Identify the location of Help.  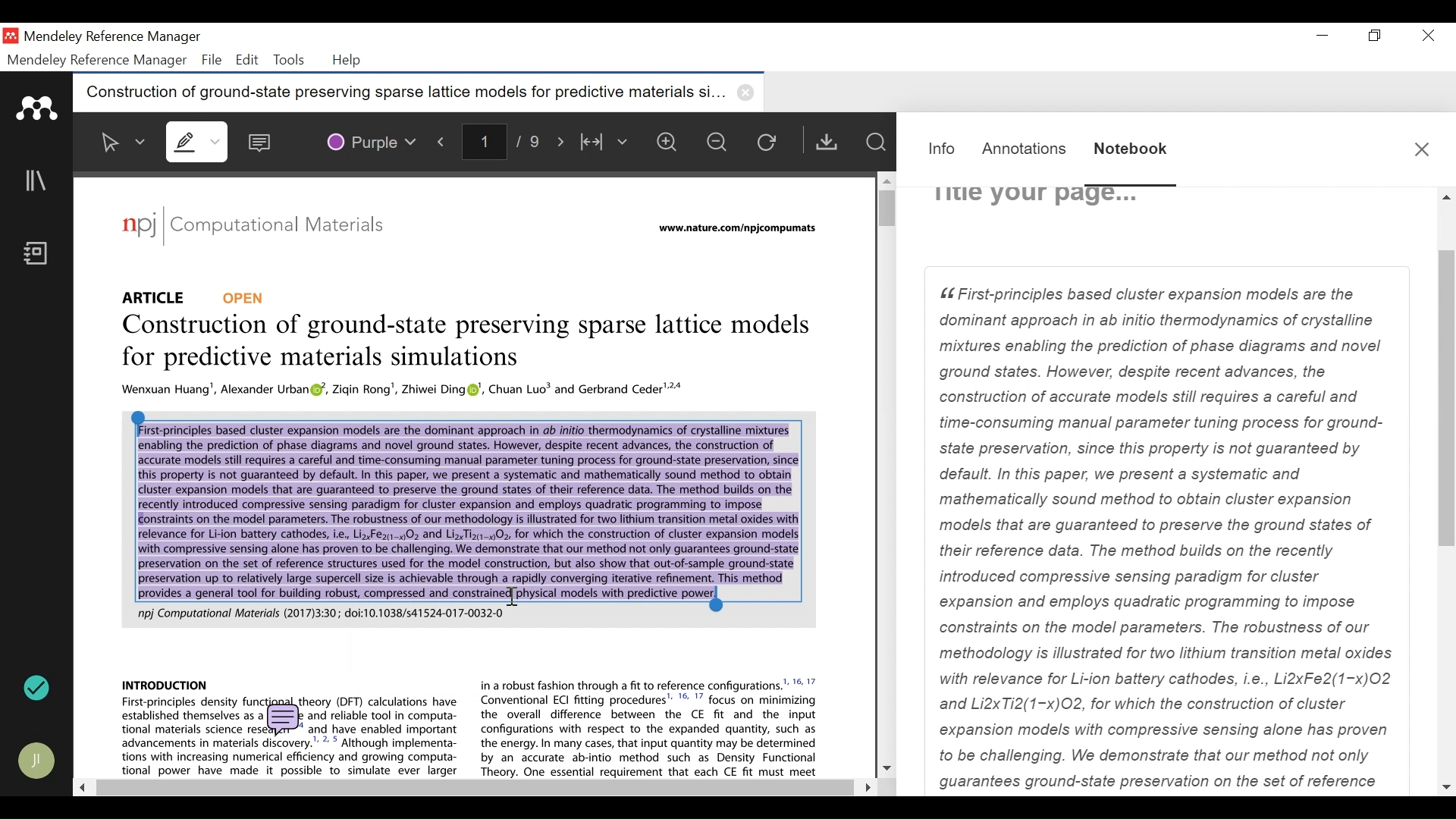
(348, 61).